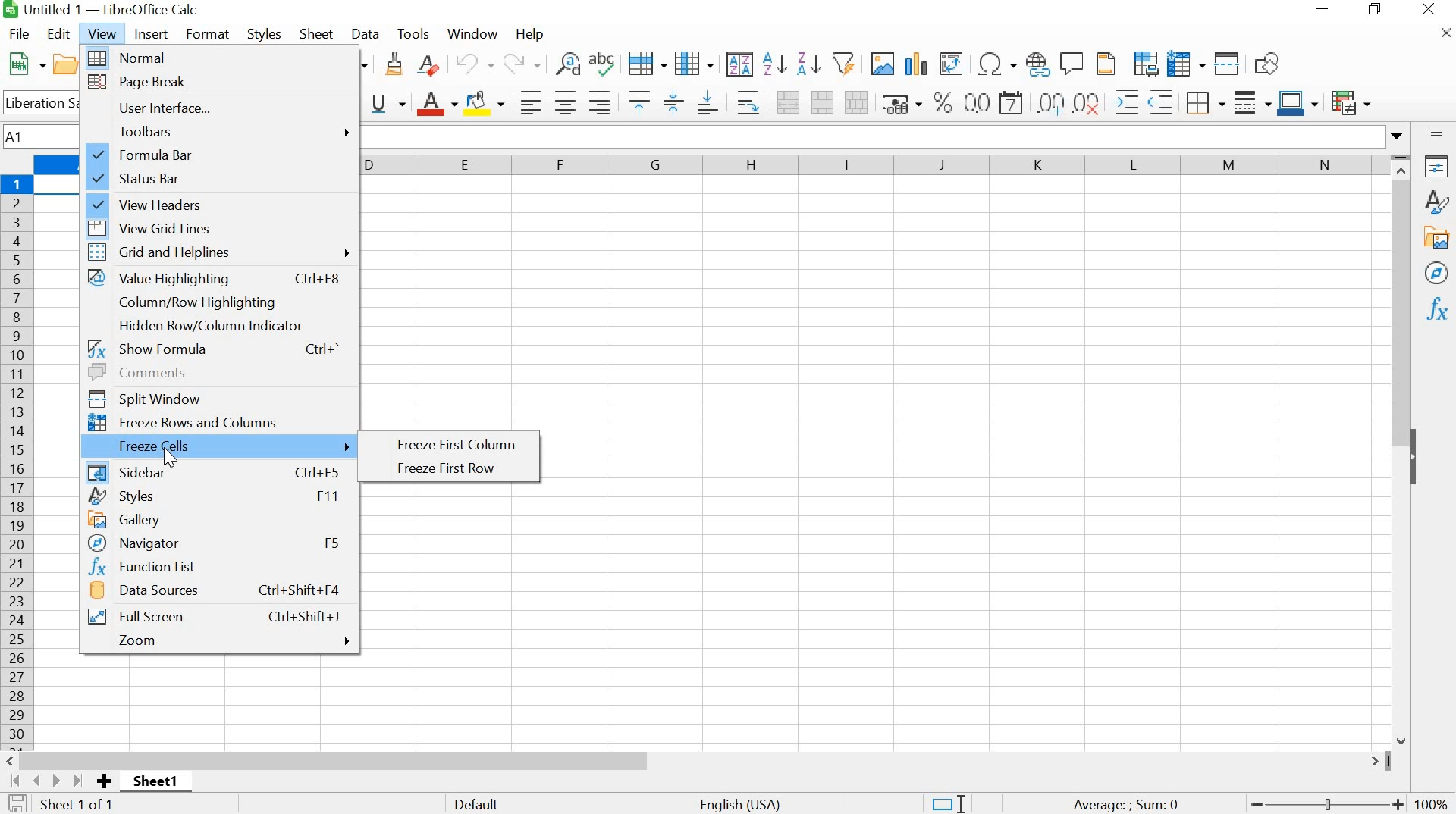  I want to click on ZOOM OUT OR ZOOM IN, so click(1324, 805).